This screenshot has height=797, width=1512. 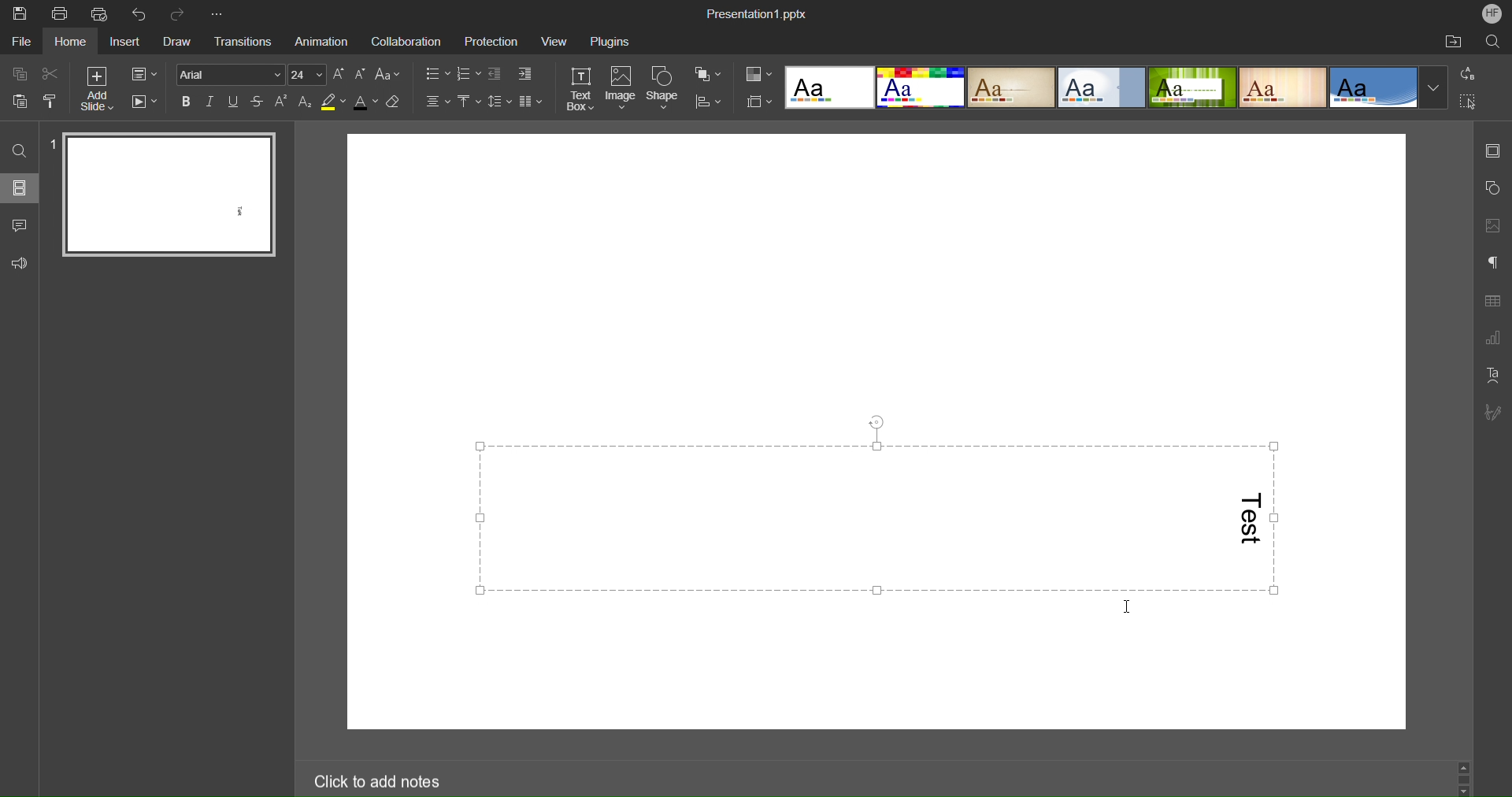 I want to click on Font, so click(x=232, y=74).